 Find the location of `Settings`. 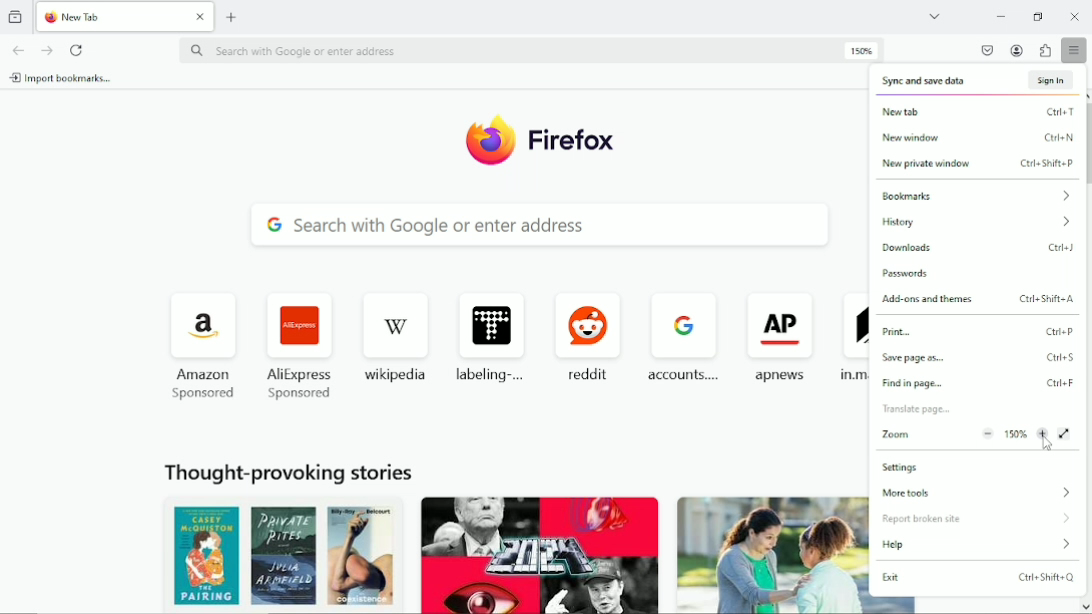

Settings is located at coordinates (904, 468).